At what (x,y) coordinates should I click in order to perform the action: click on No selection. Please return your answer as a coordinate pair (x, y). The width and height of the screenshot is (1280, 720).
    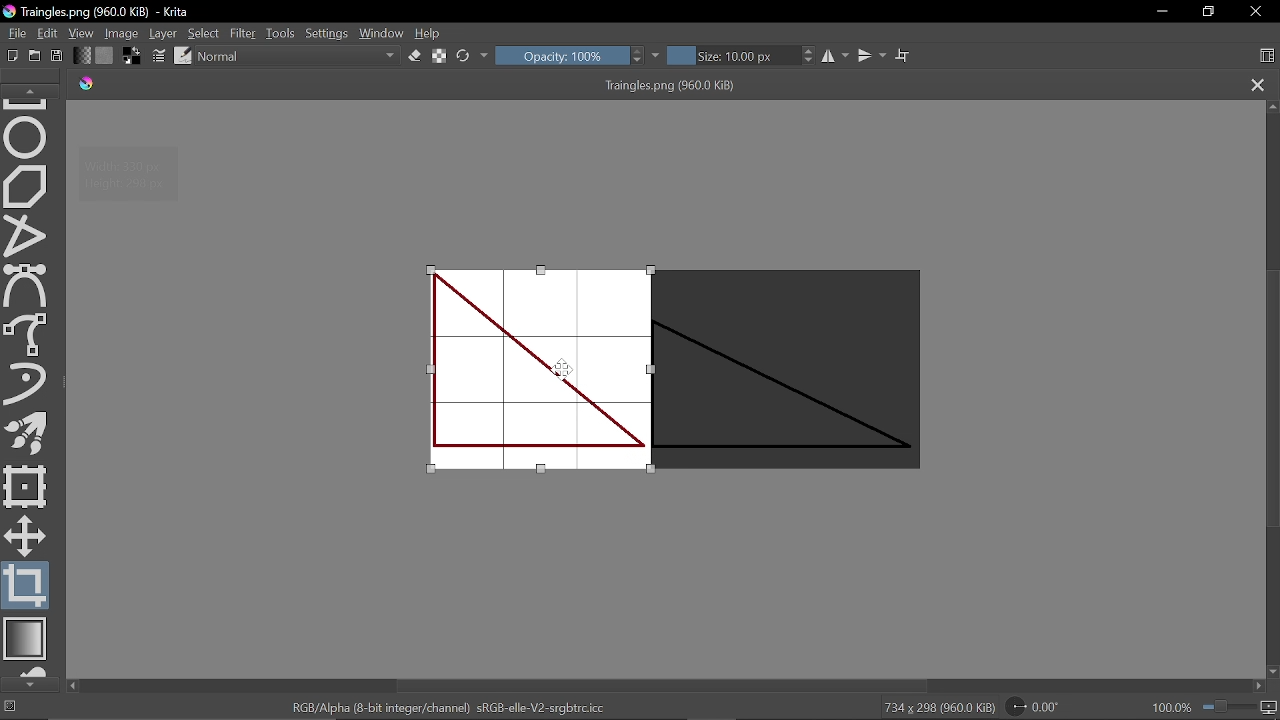
    Looking at the image, I should click on (10, 708).